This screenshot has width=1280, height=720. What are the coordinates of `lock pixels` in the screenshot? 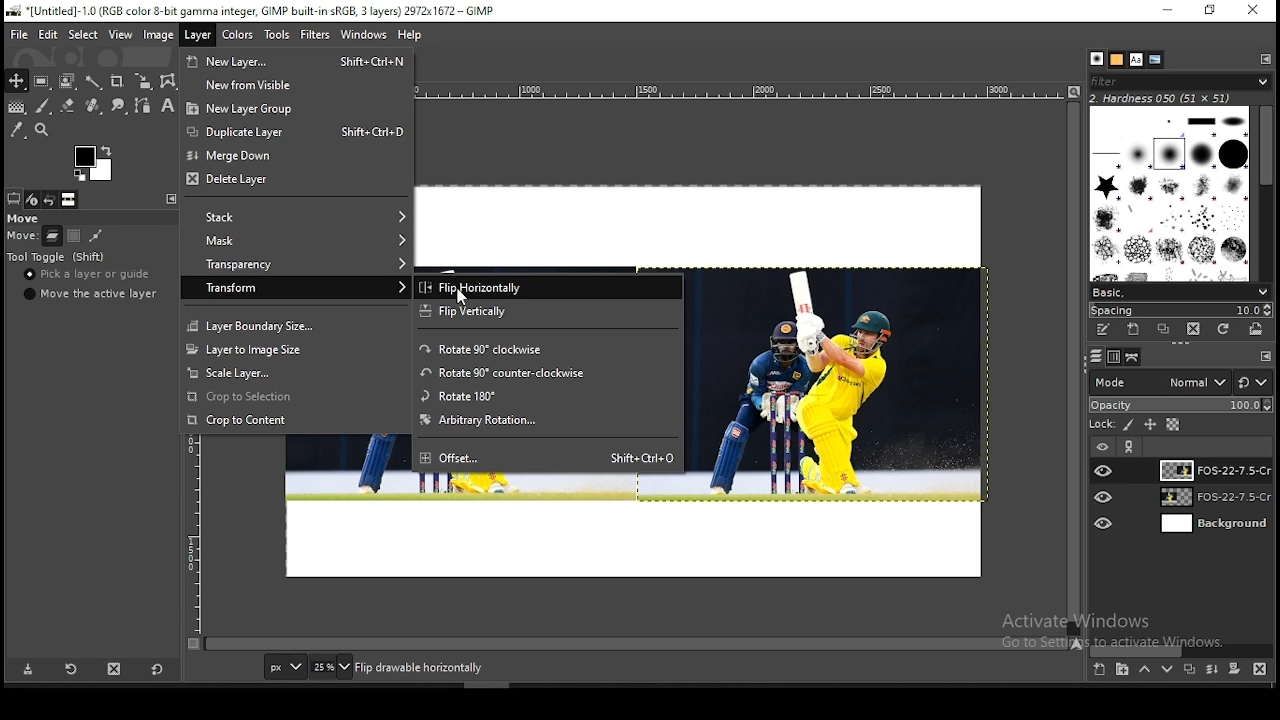 It's located at (1130, 427).